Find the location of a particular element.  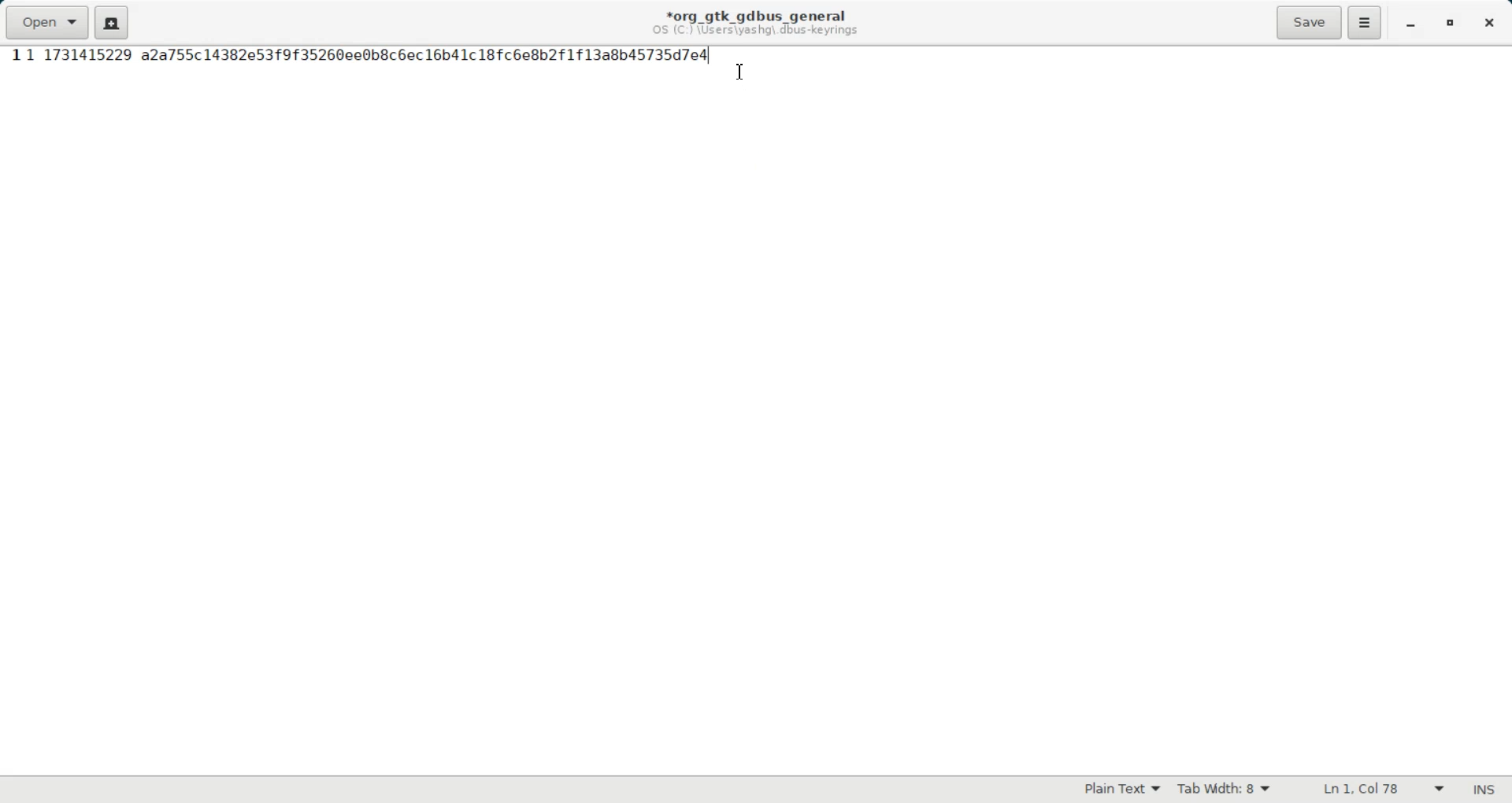

Text Wrapping is located at coordinates (1368, 790).